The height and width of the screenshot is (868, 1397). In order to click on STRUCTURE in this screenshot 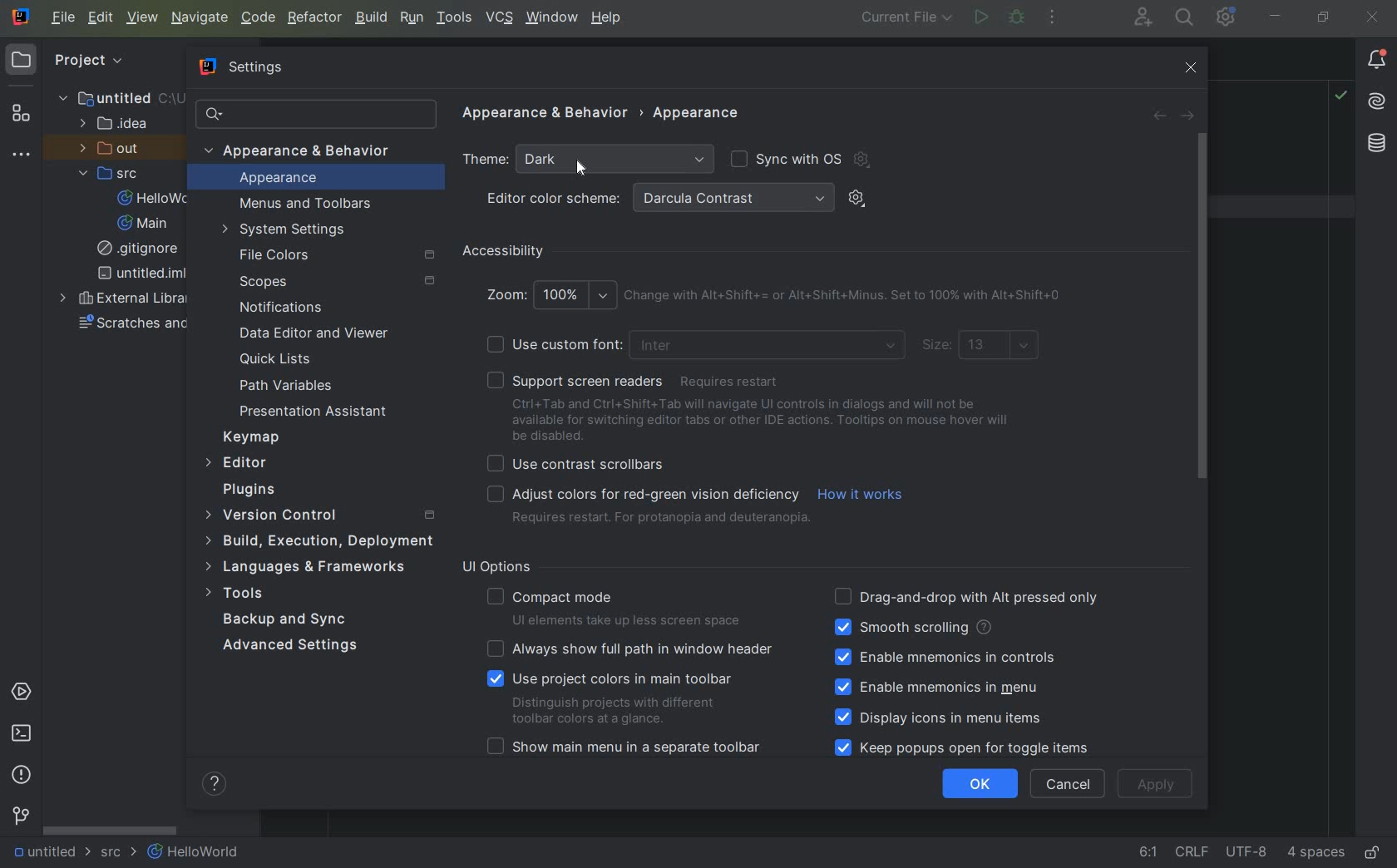, I will do `click(21, 113)`.